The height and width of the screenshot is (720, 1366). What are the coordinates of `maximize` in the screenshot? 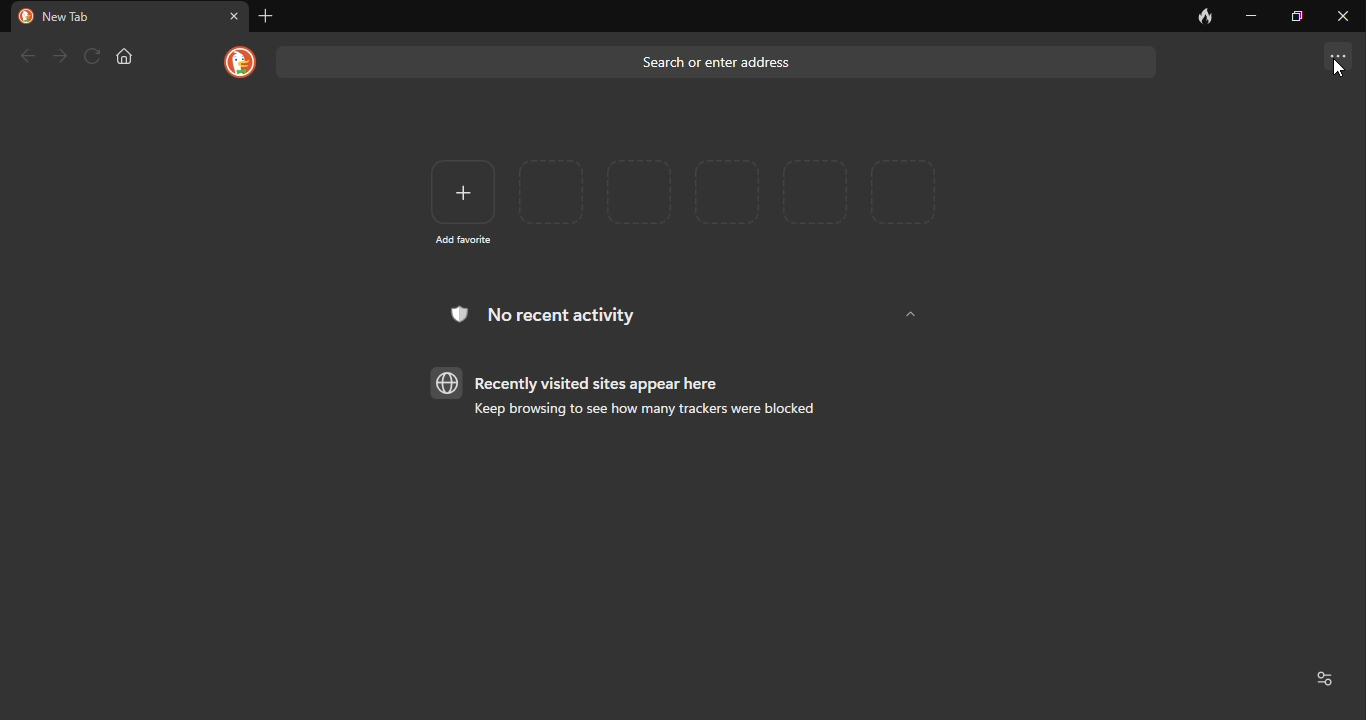 It's located at (1298, 15).